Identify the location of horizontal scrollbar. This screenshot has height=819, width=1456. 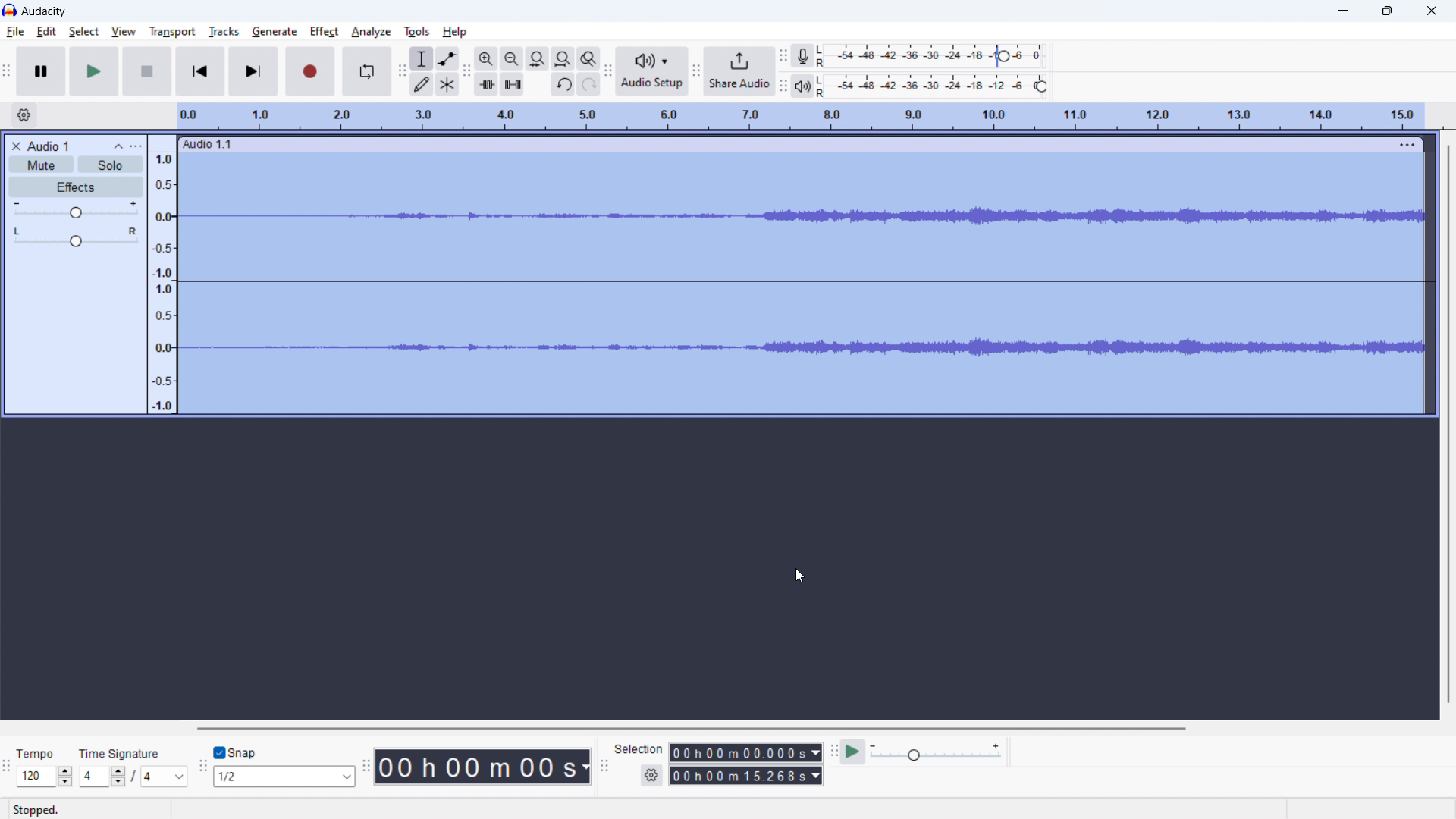
(692, 729).